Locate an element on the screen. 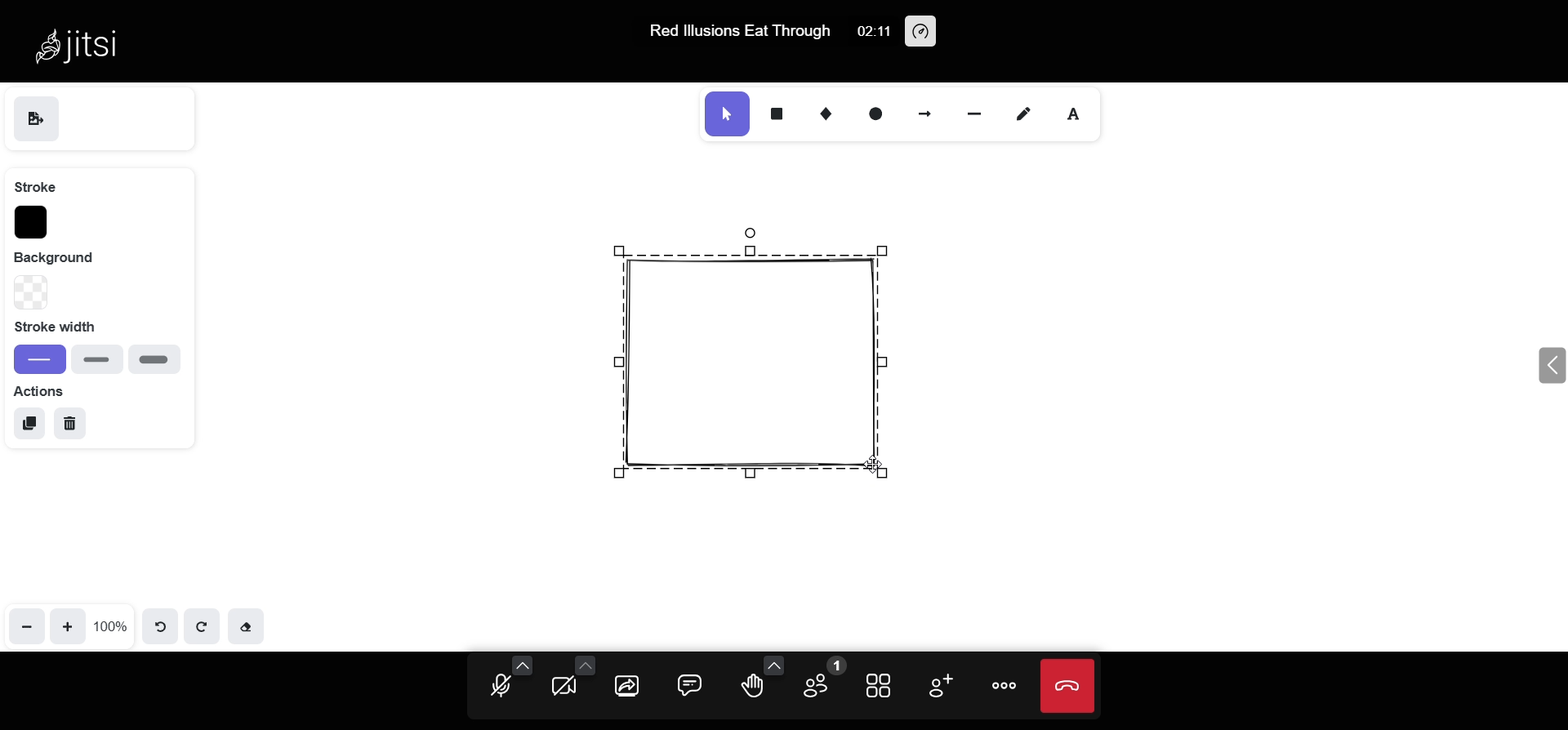  diamond is located at coordinates (830, 113).